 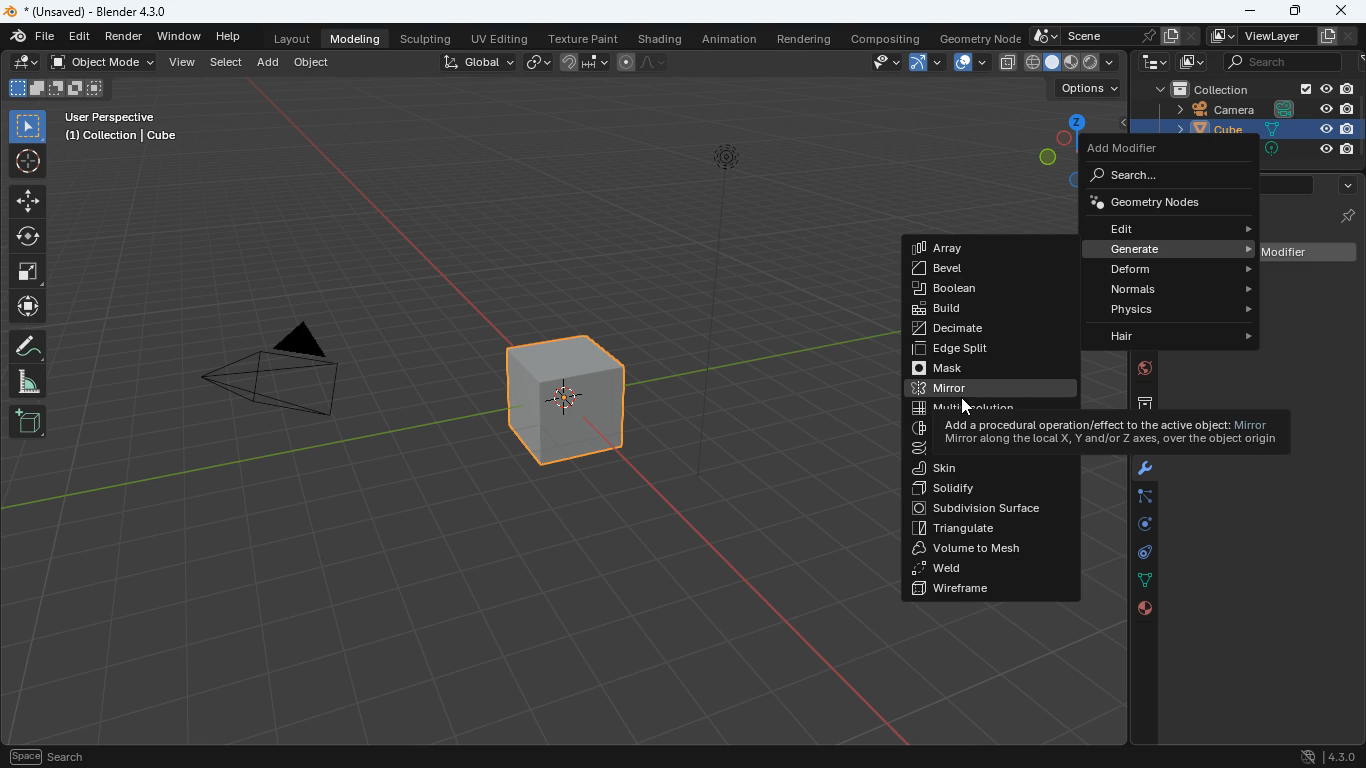 I want to click on , so click(x=1322, y=149).